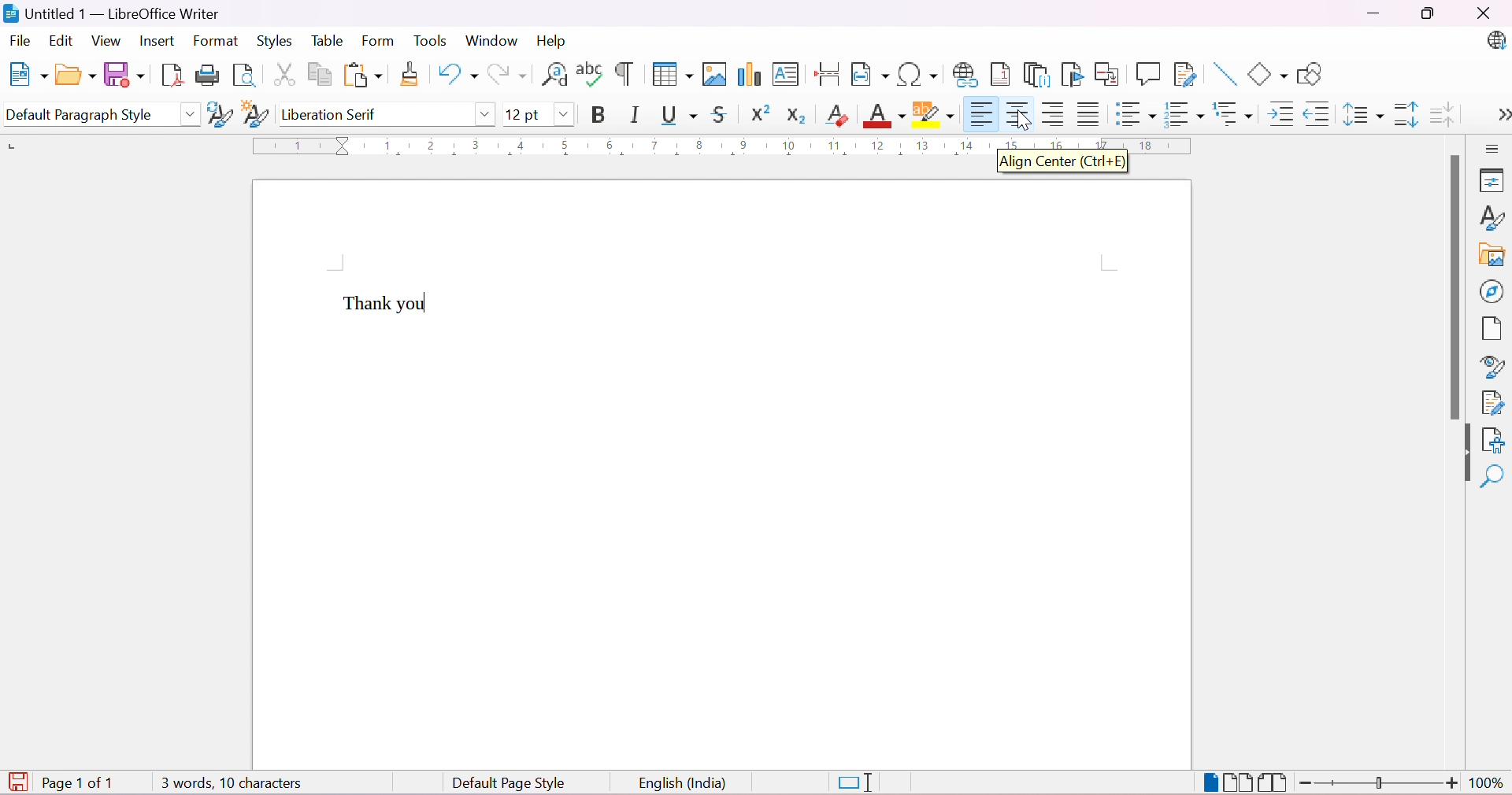  Describe the element at coordinates (1027, 121) in the screenshot. I see `Cursor` at that location.